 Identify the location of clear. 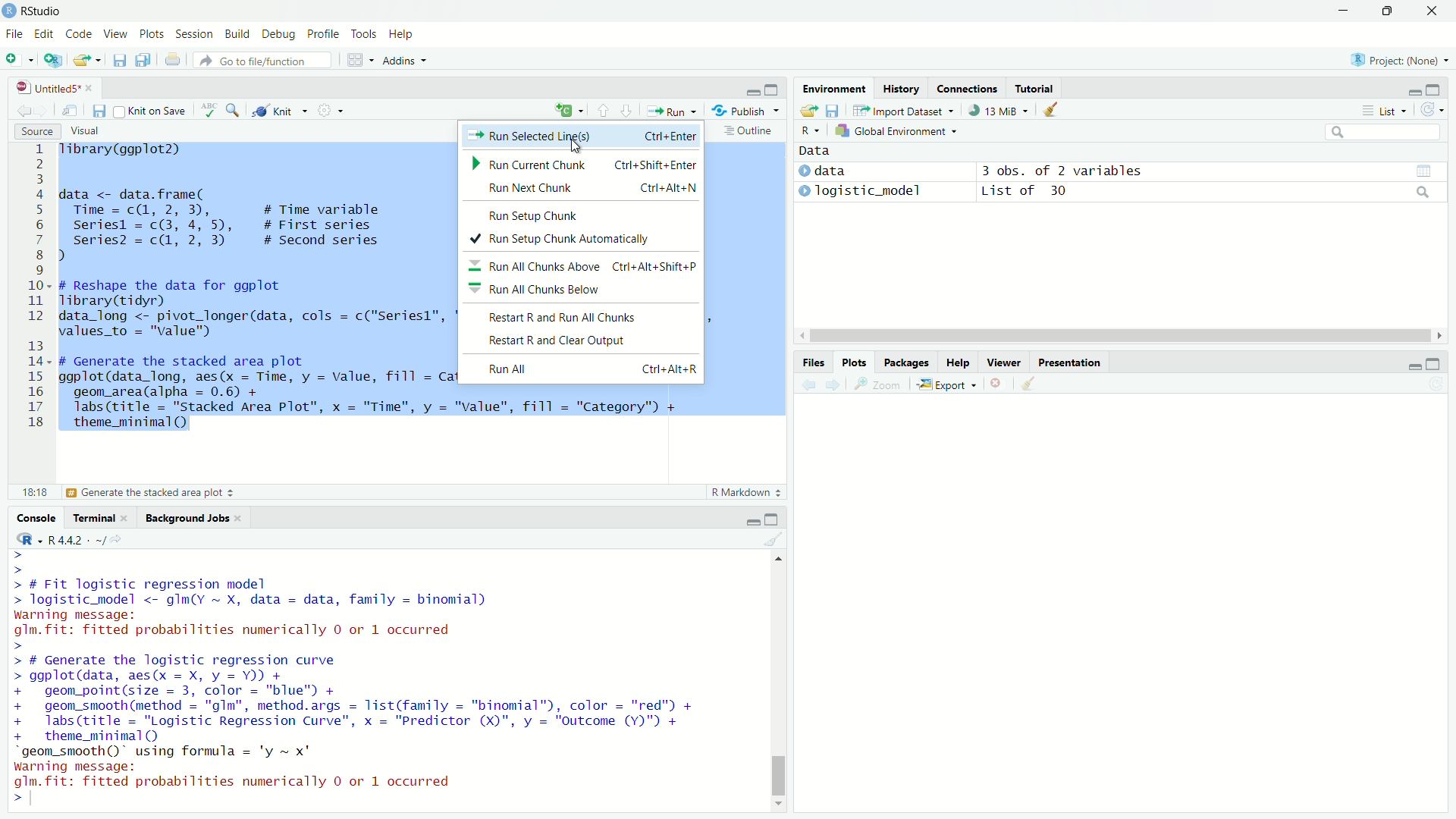
(1031, 384).